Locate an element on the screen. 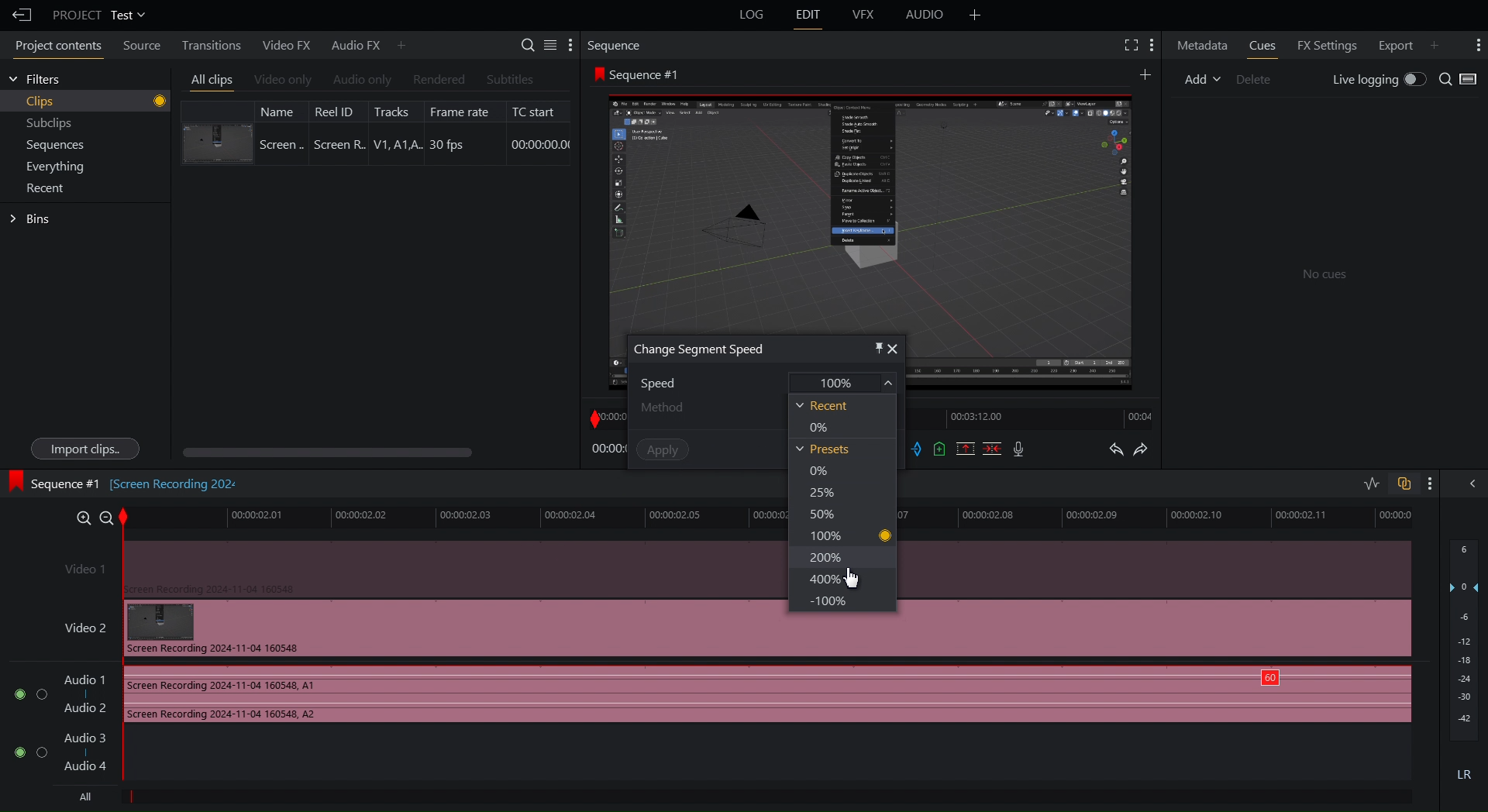  Timeline is located at coordinates (1160, 518).